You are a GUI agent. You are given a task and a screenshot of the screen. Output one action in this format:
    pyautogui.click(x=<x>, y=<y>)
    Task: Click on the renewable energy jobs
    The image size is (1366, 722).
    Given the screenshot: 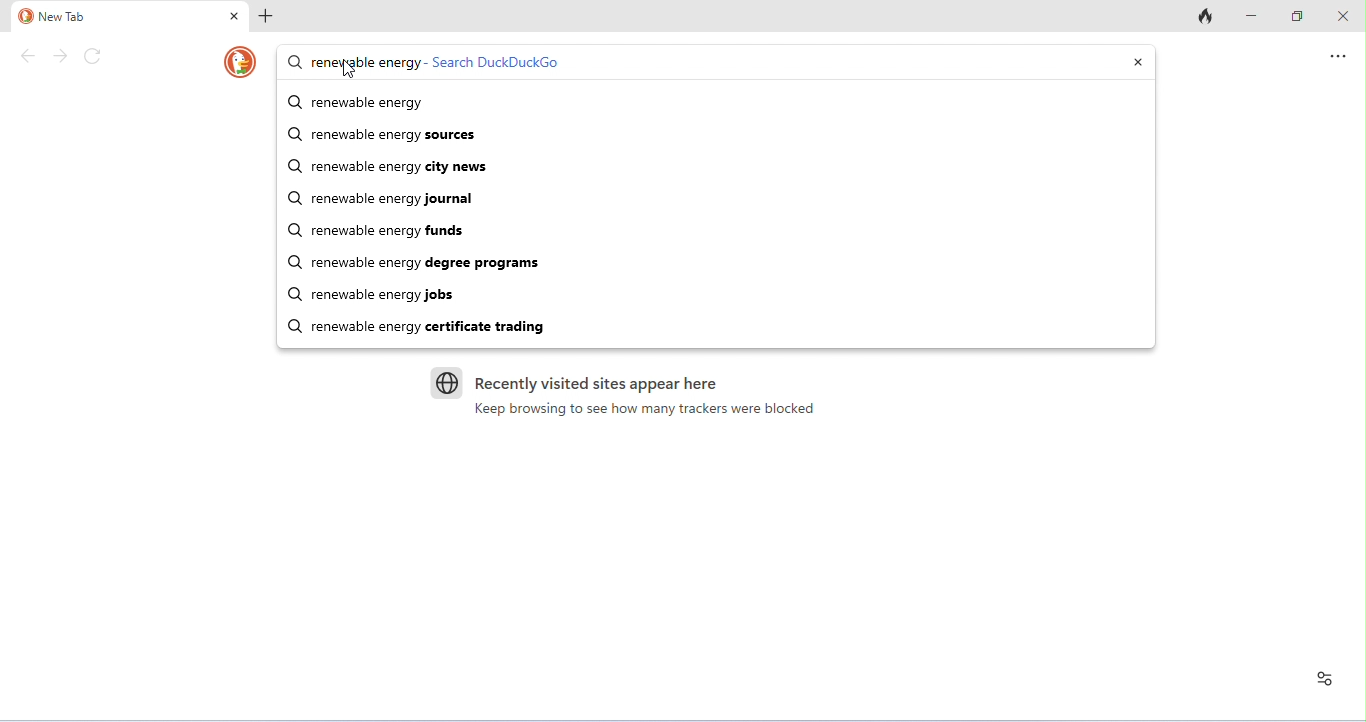 What is the action you would take?
    pyautogui.click(x=727, y=296)
    